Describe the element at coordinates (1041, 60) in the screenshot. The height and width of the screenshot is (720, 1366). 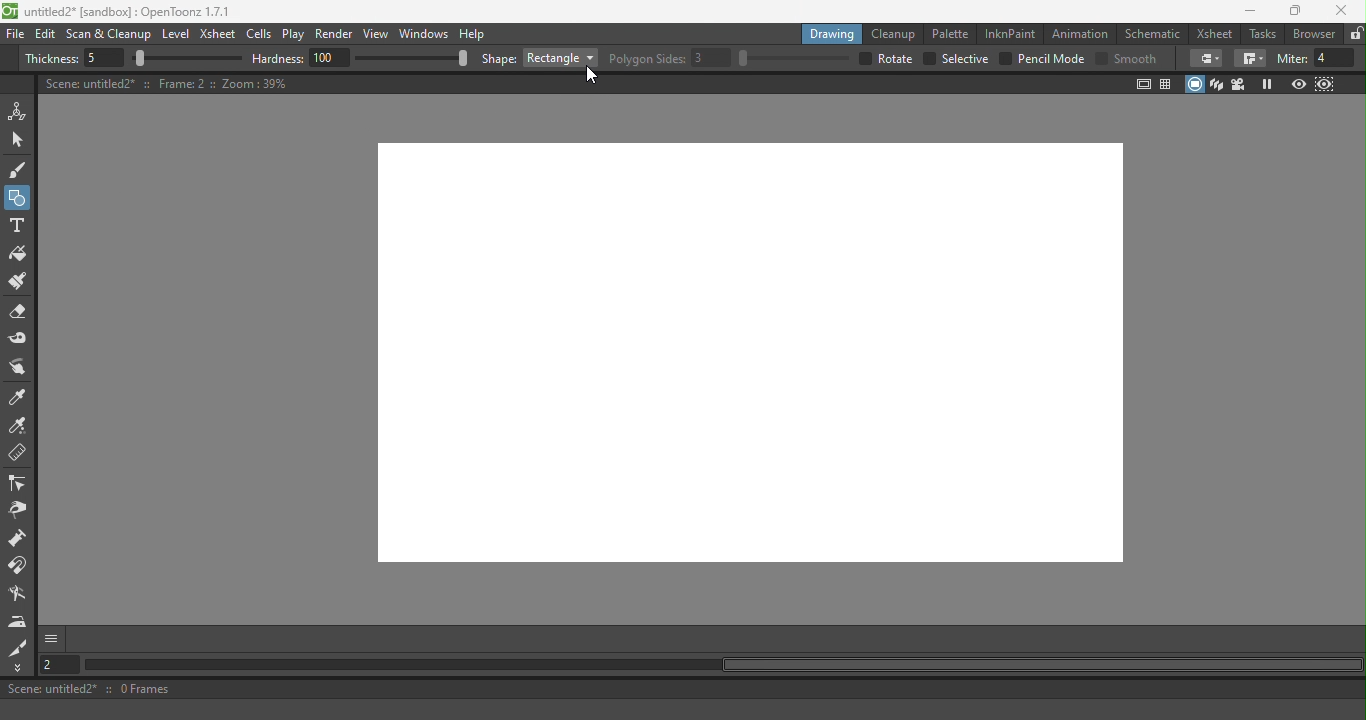
I see `Pencil Mode` at that location.